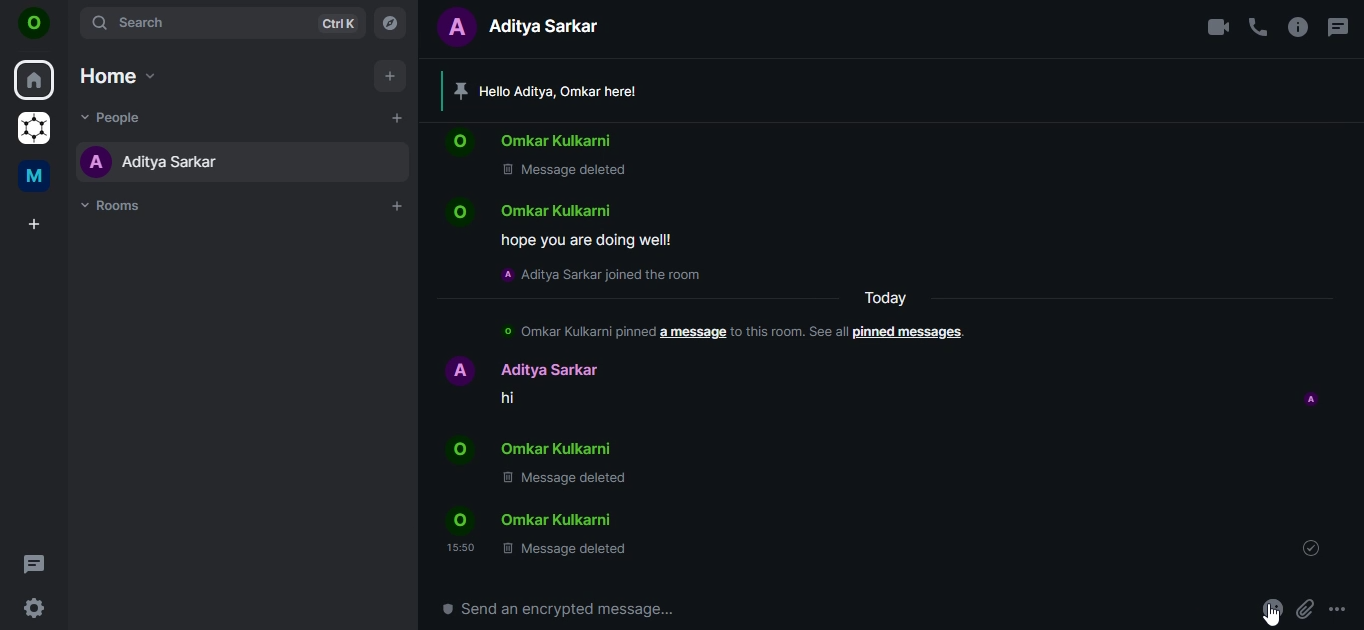 Image resolution: width=1364 pixels, height=630 pixels. I want to click on voice call, so click(1258, 26).